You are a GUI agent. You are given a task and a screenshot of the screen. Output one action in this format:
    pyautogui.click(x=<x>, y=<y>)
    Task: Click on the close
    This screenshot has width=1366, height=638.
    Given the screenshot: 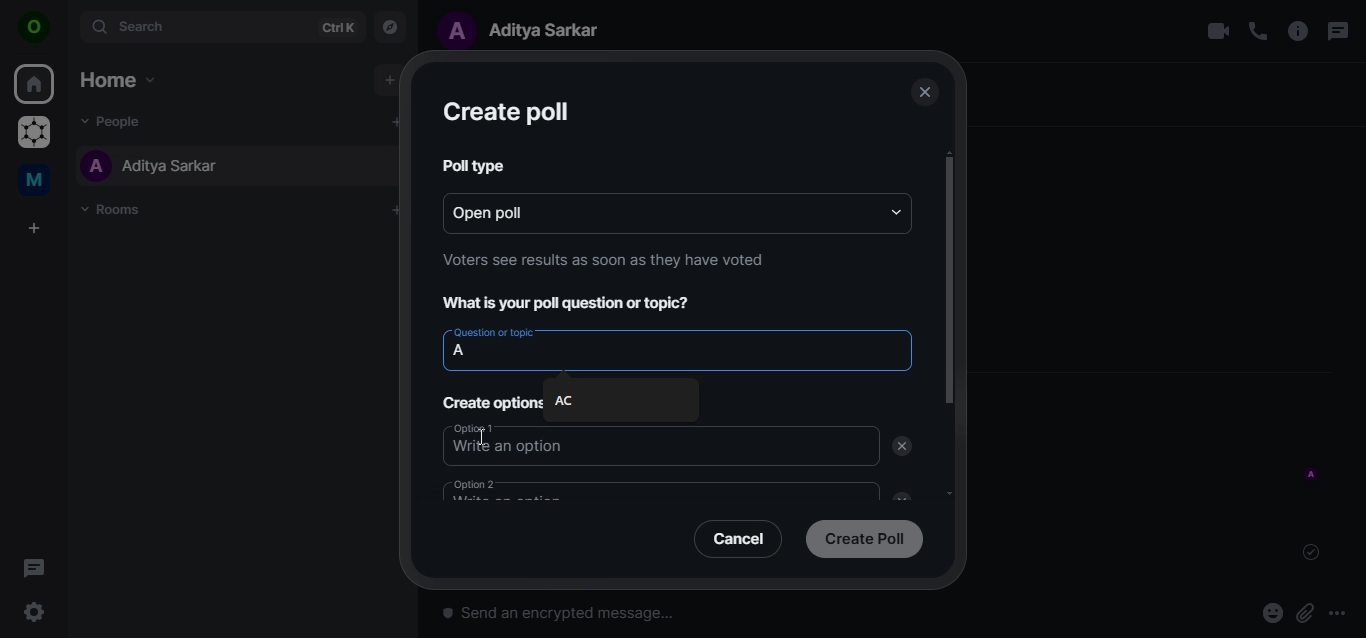 What is the action you would take?
    pyautogui.click(x=923, y=93)
    